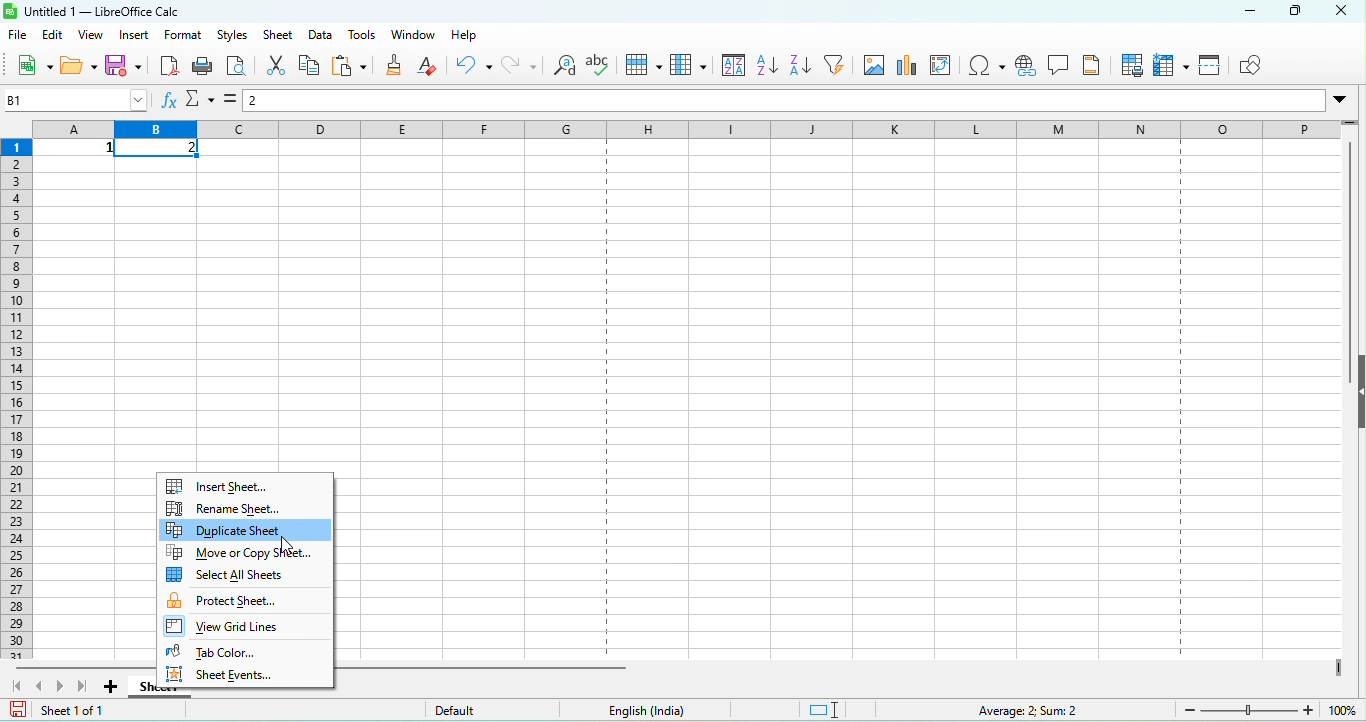 The width and height of the screenshot is (1366, 722). What do you see at coordinates (1346, 242) in the screenshot?
I see `vertical scroll bar` at bounding box center [1346, 242].